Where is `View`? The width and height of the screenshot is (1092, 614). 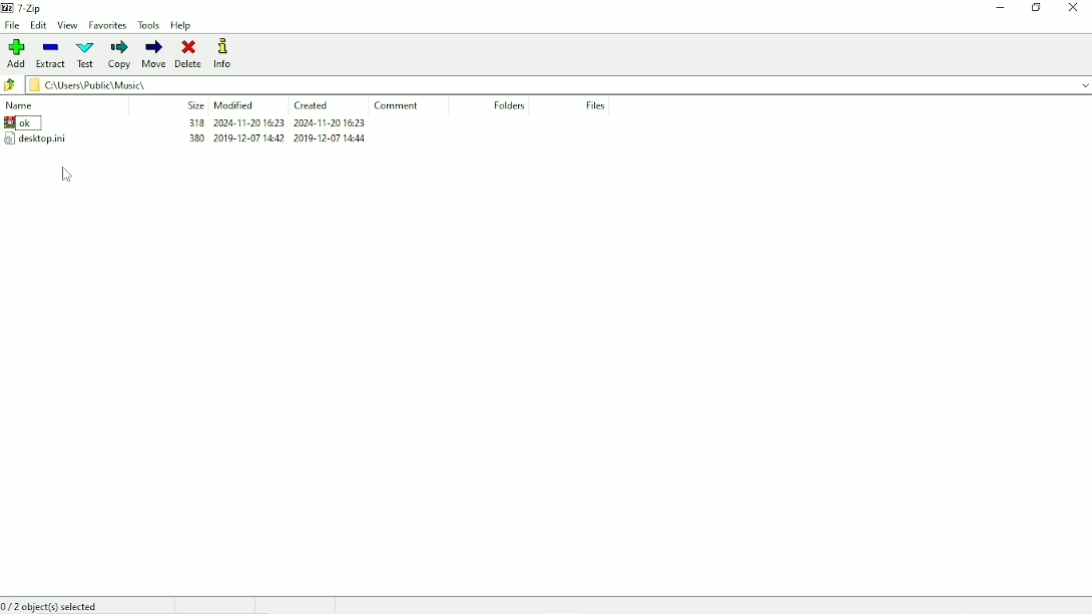
View is located at coordinates (67, 26).